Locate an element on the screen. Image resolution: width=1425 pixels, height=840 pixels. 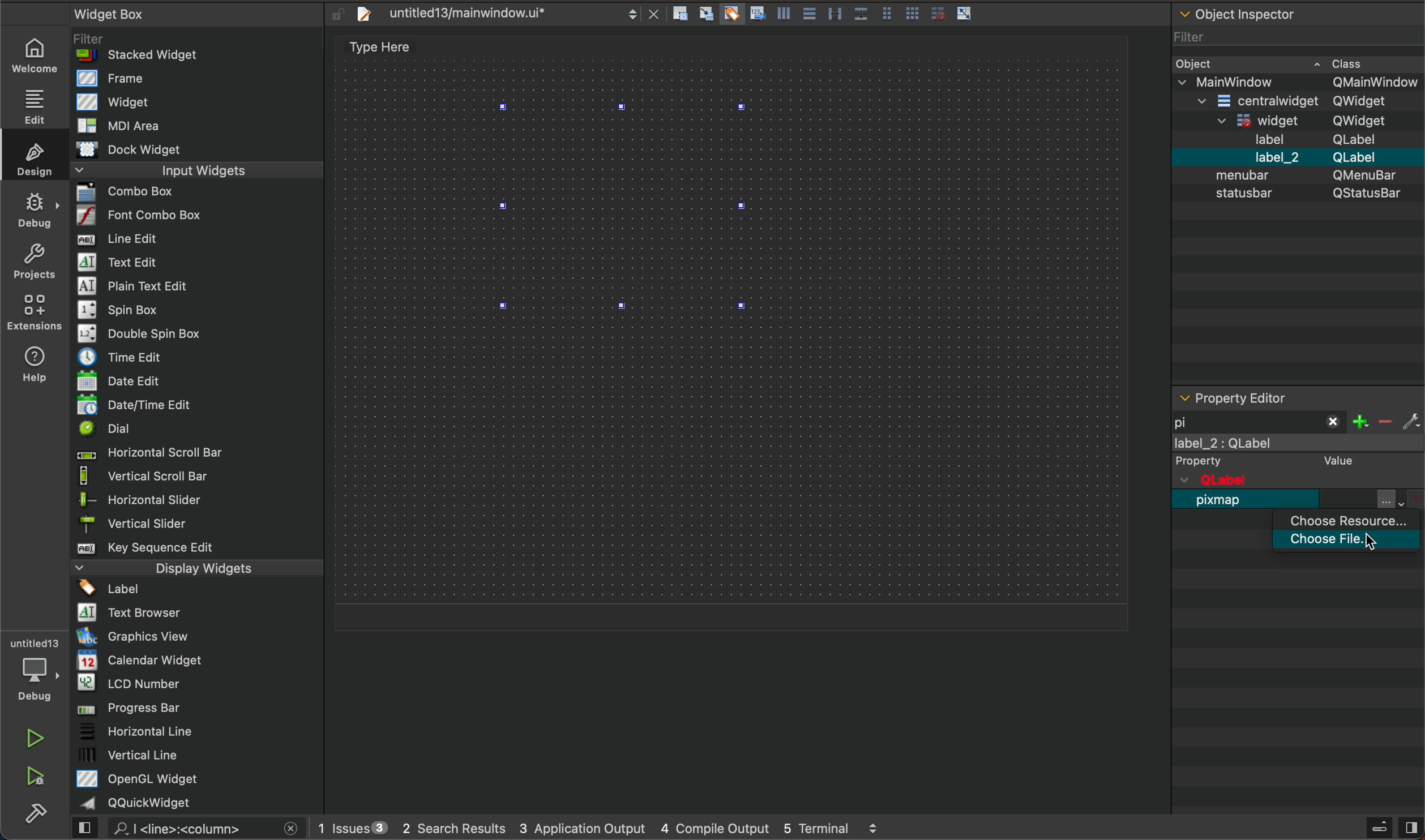
edit is located at coordinates (32, 104).